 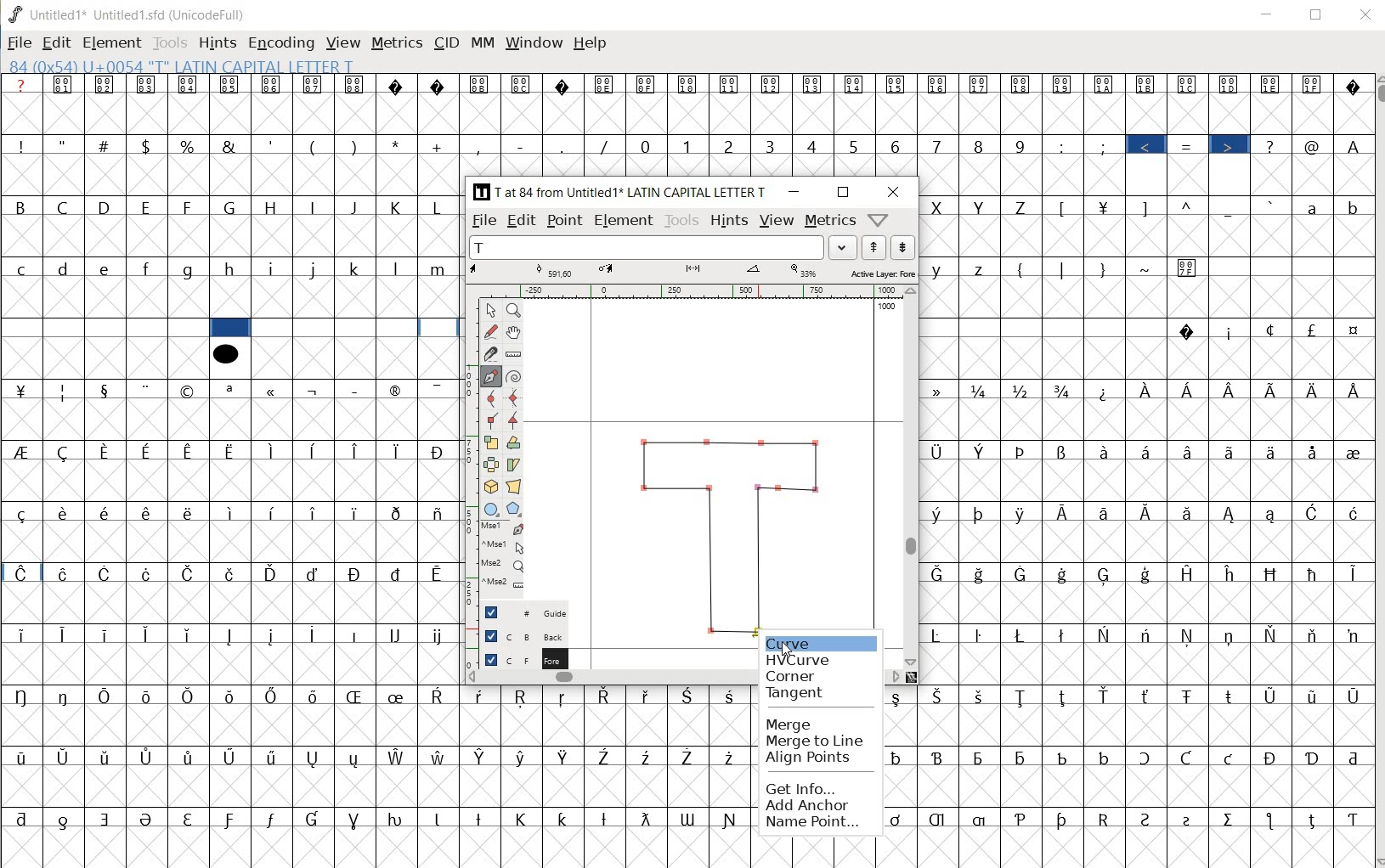 I want to click on ?, so click(x=24, y=85).